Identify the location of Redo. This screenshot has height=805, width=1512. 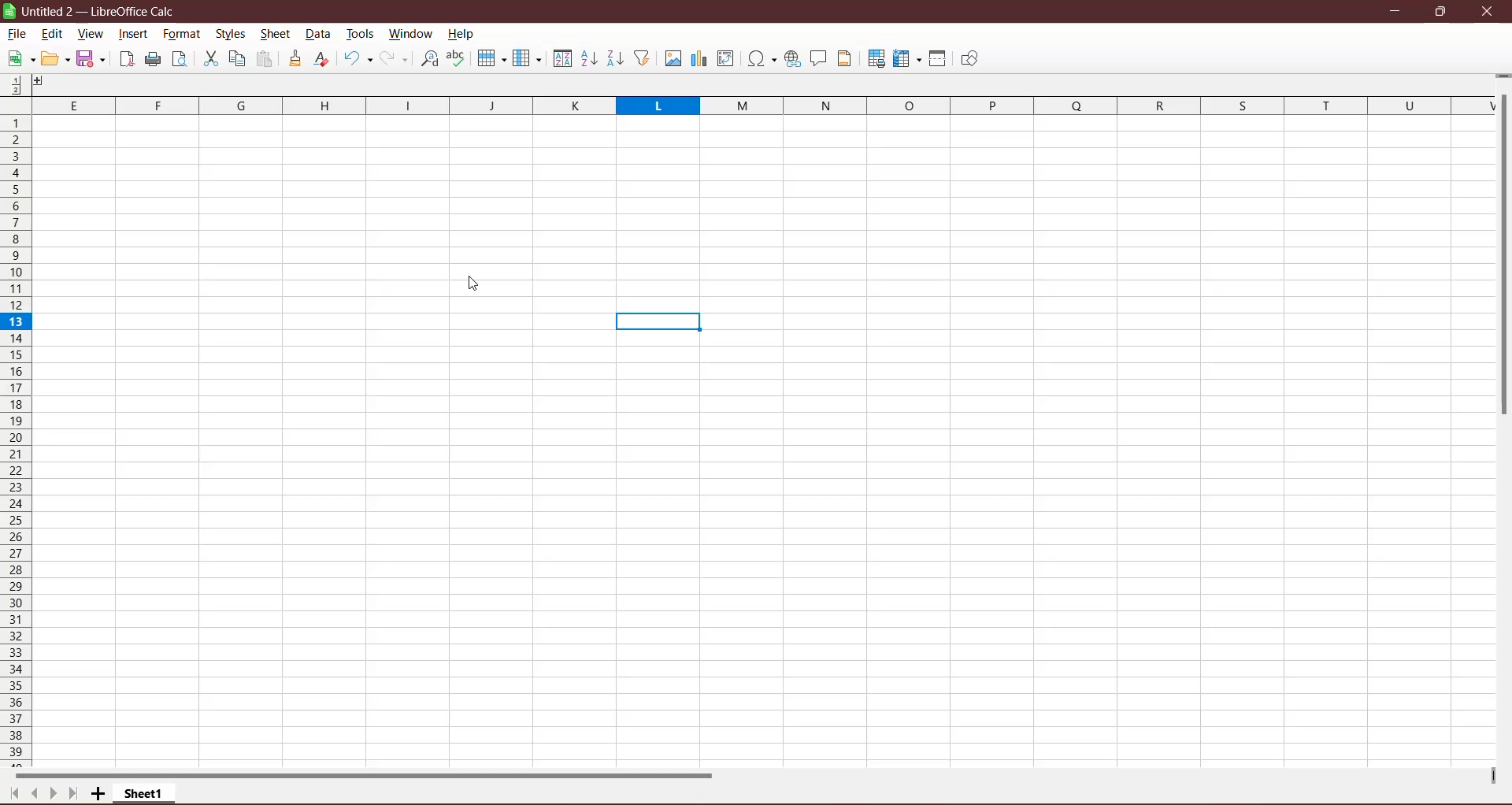
(395, 58).